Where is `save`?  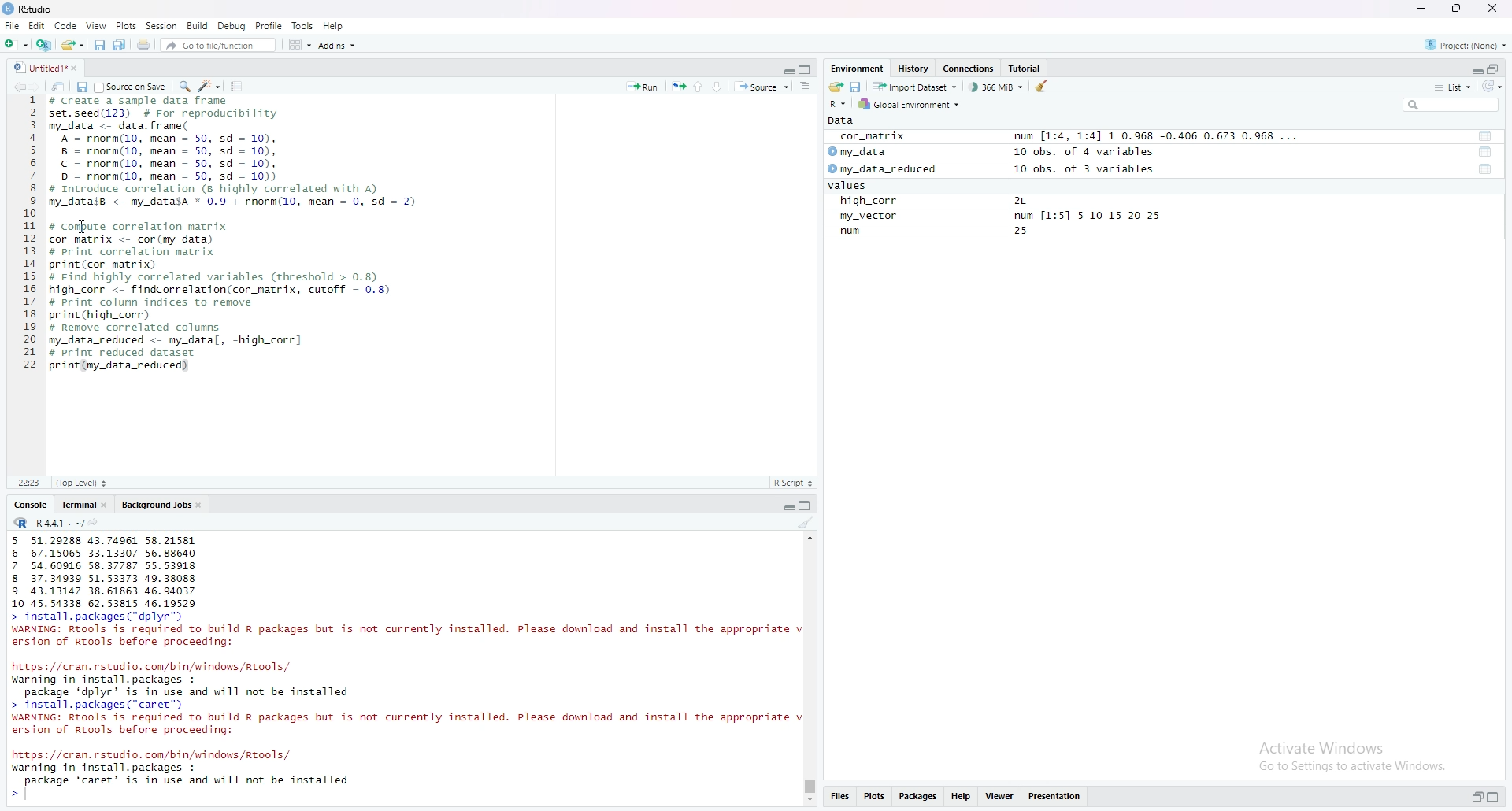 save is located at coordinates (80, 87).